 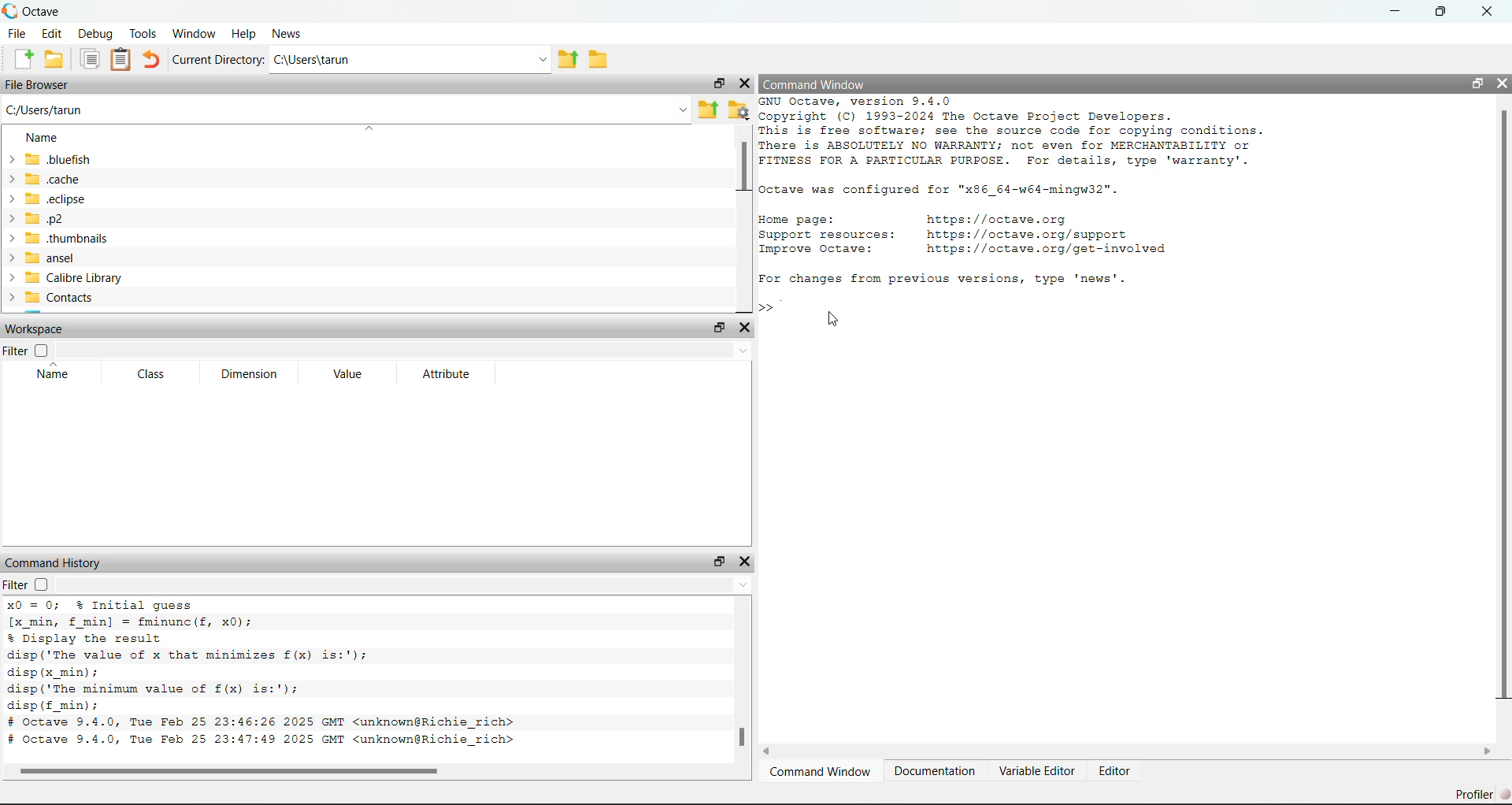 What do you see at coordinates (717, 80) in the screenshot?
I see `Maximize/Restore` at bounding box center [717, 80].